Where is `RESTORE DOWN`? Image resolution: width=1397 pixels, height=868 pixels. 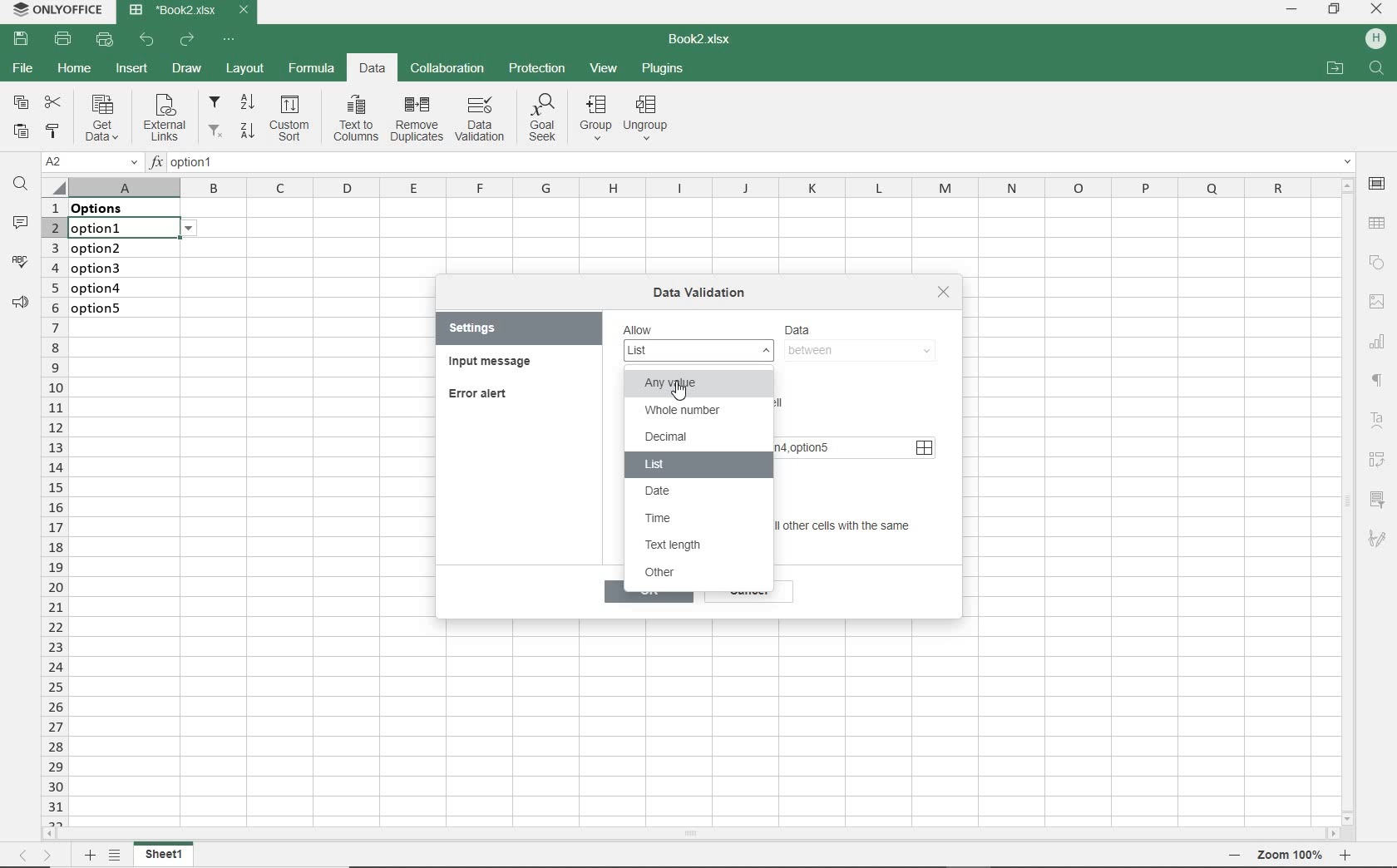
RESTORE DOWN is located at coordinates (1335, 11).